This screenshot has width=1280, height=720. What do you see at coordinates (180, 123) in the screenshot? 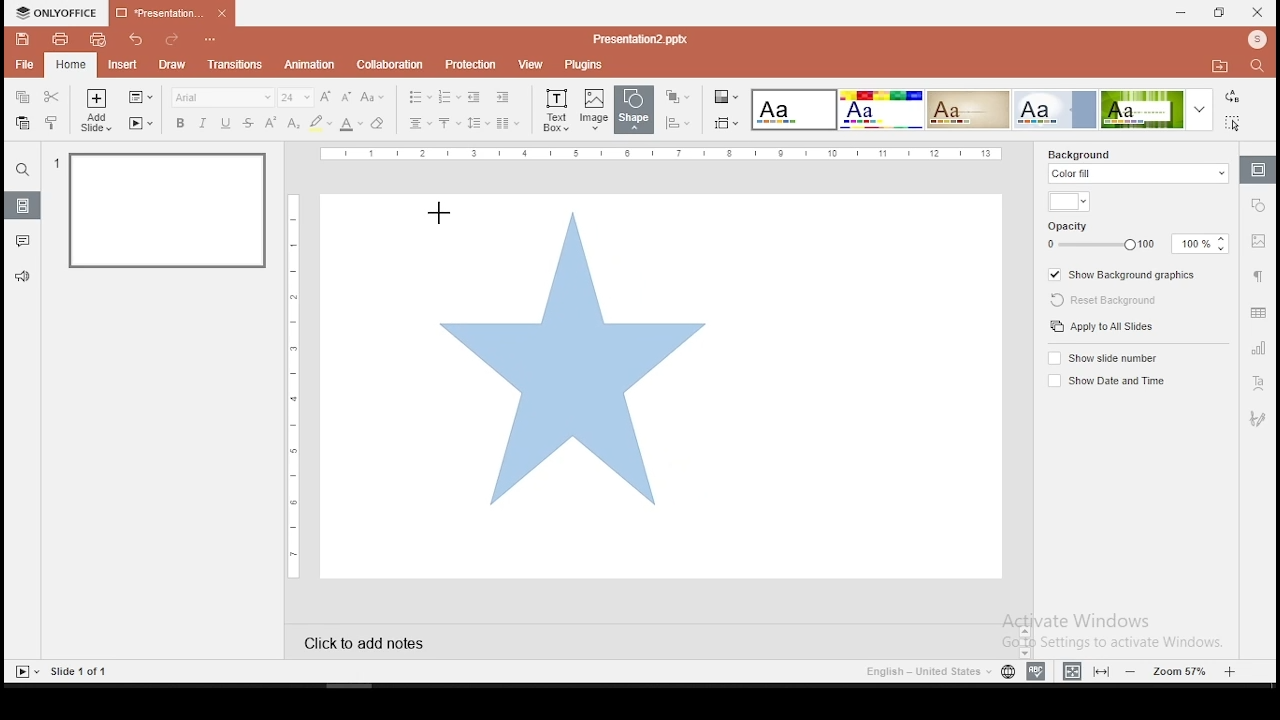
I see `bold` at bounding box center [180, 123].